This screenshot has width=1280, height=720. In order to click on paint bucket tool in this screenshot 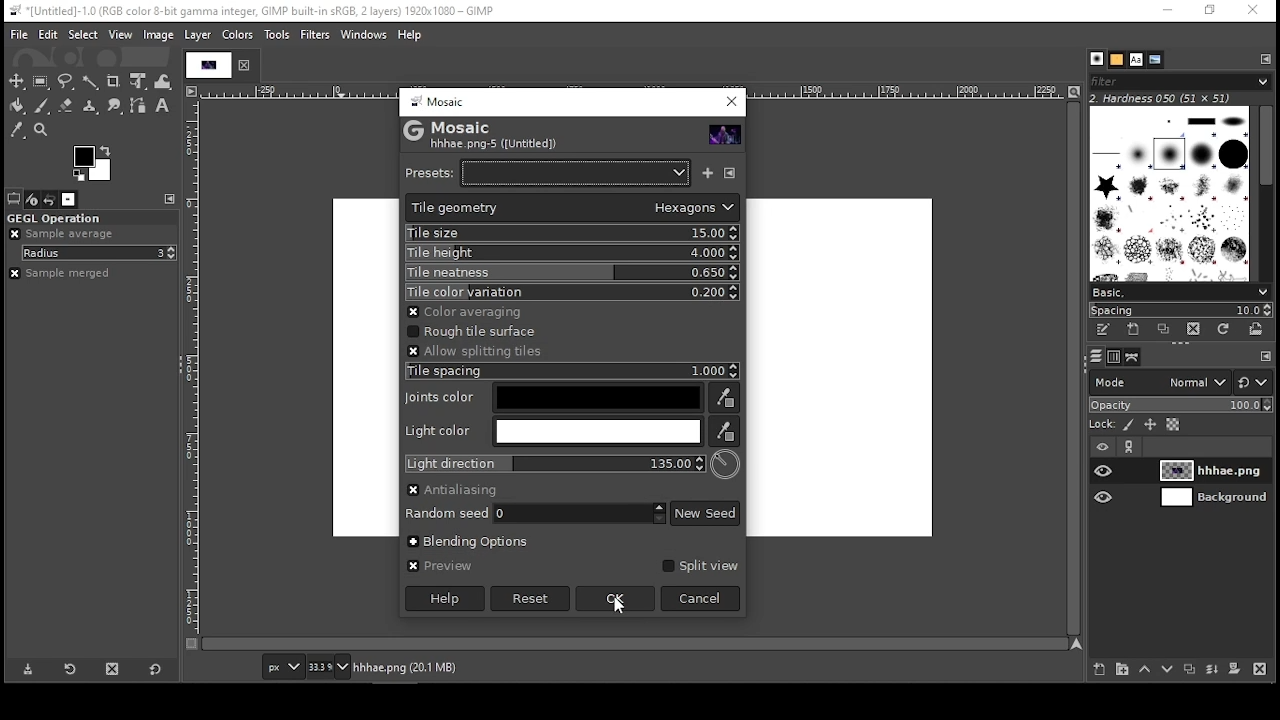, I will do `click(19, 106)`.